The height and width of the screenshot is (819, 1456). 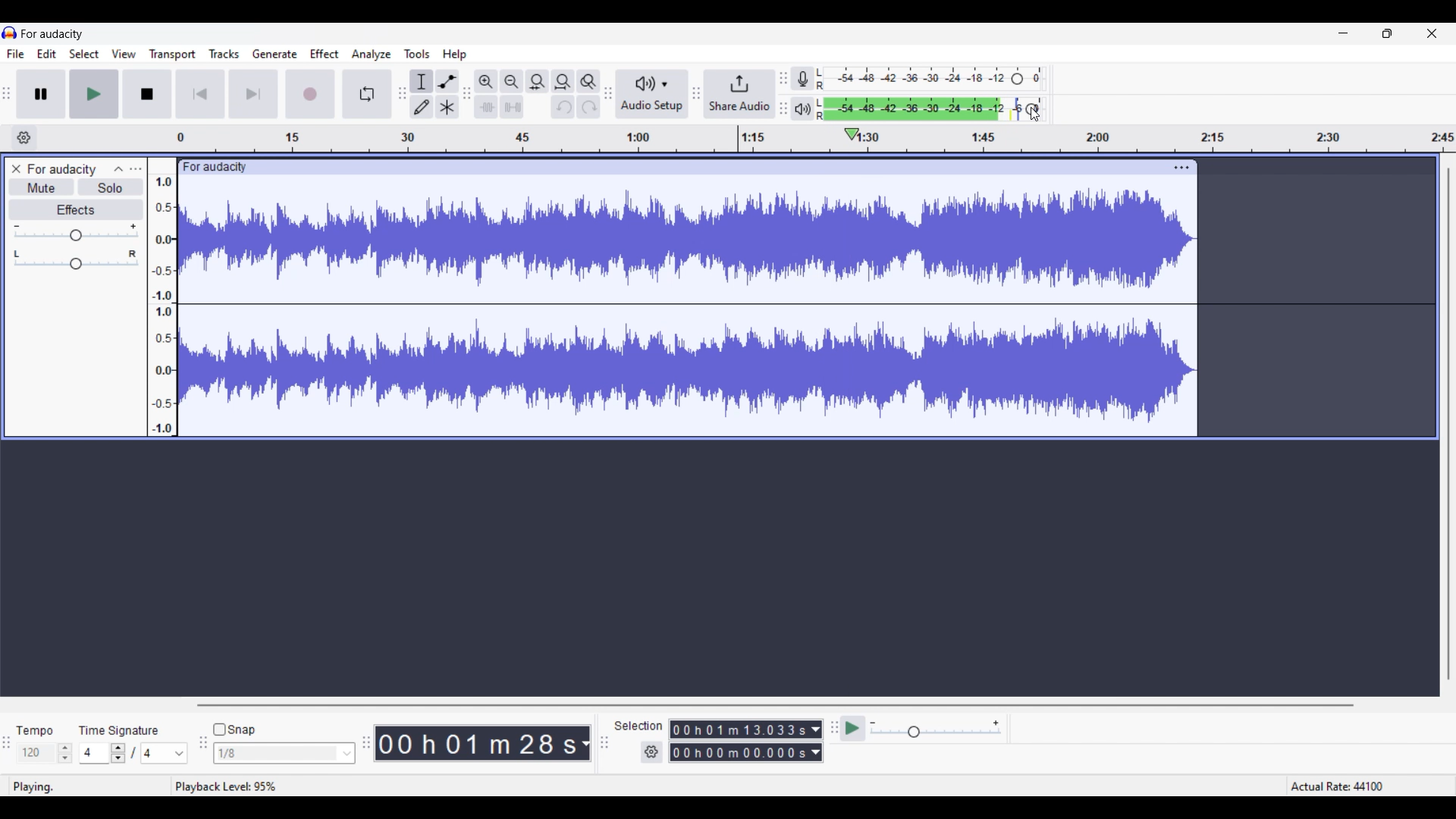 What do you see at coordinates (47, 53) in the screenshot?
I see `Edit menu` at bounding box center [47, 53].